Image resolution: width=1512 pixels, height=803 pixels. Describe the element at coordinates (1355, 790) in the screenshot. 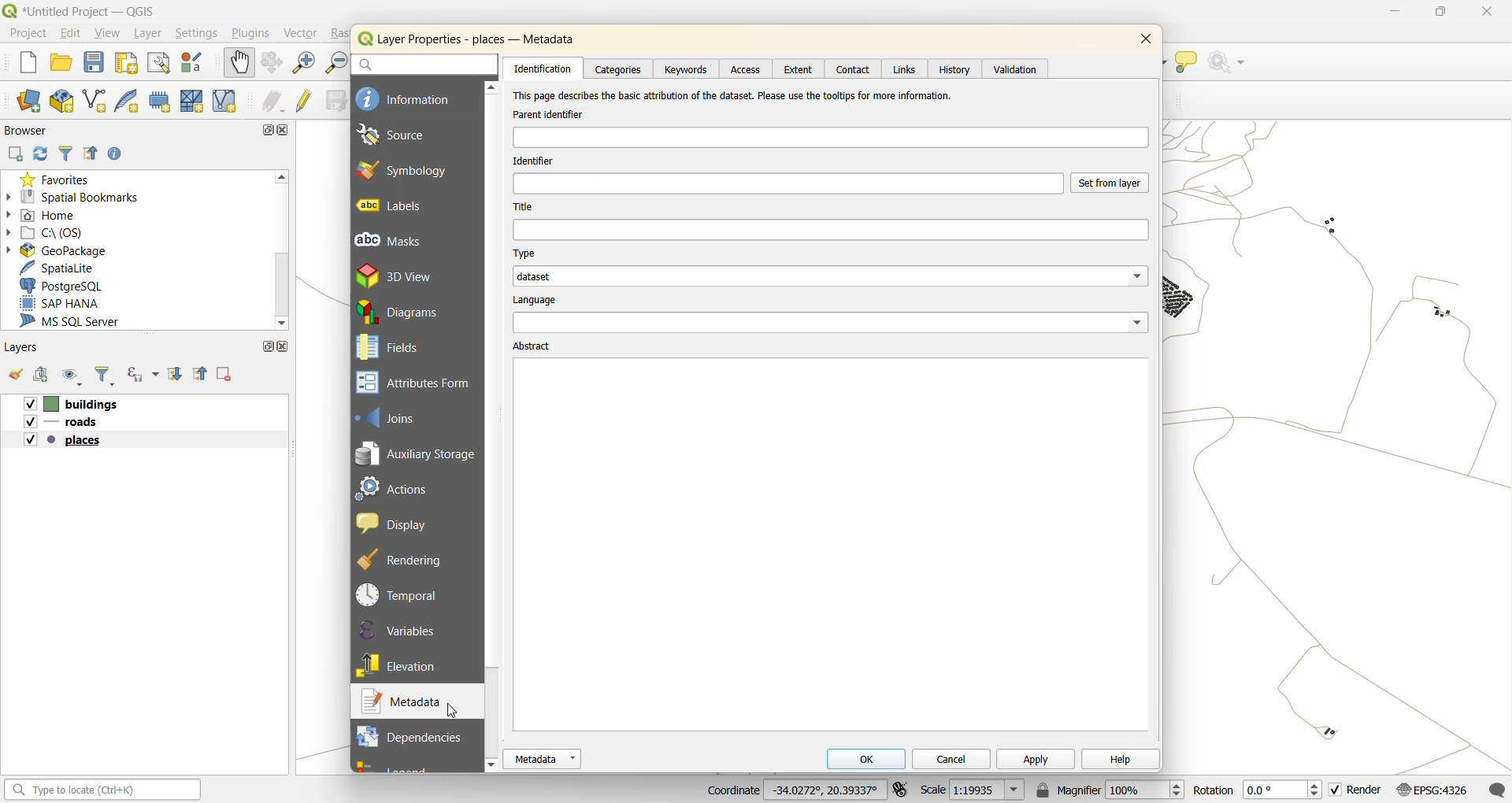

I see `render` at that location.